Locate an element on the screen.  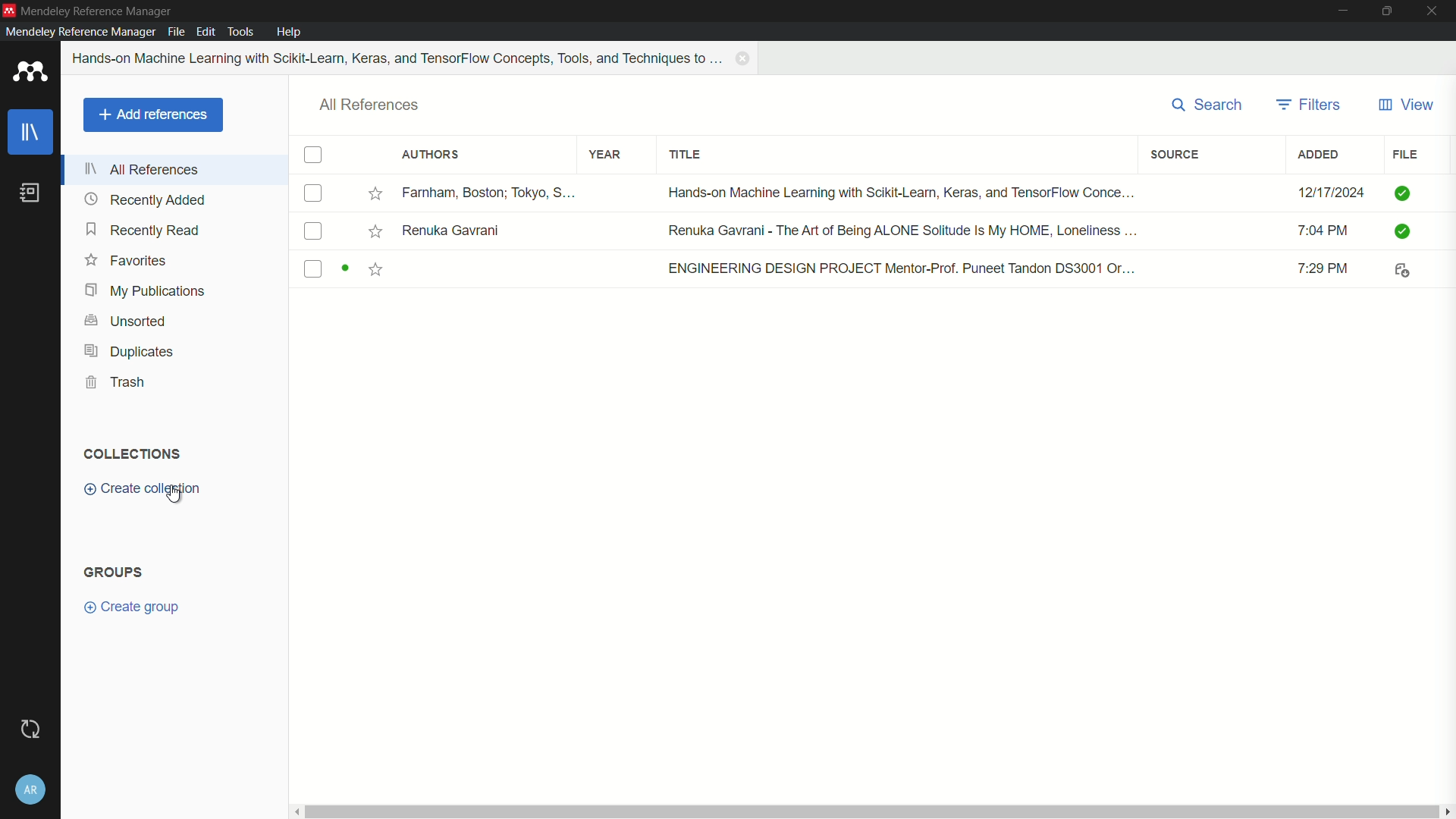
year is located at coordinates (606, 155).